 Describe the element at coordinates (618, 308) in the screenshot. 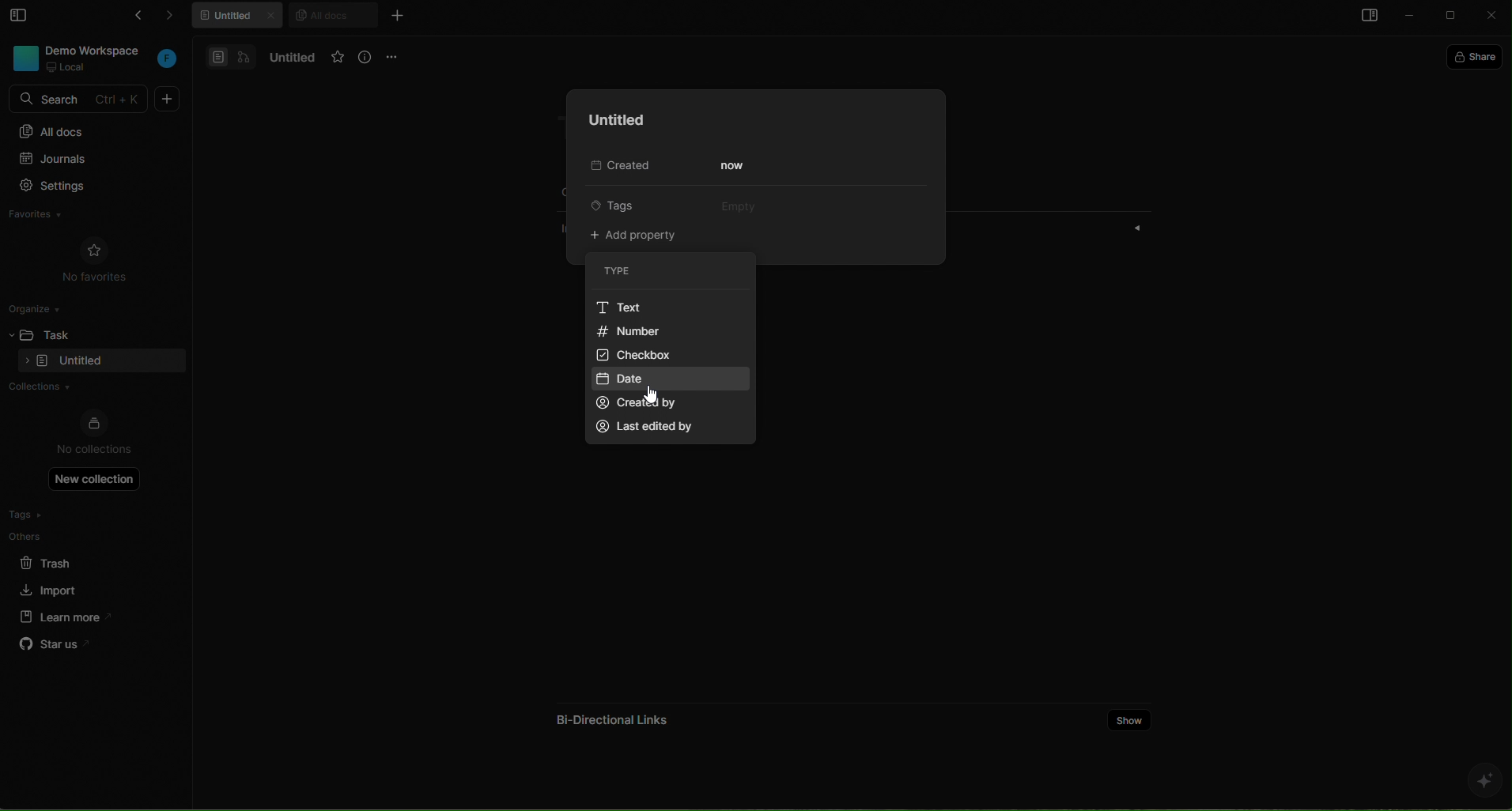

I see `Text` at that location.